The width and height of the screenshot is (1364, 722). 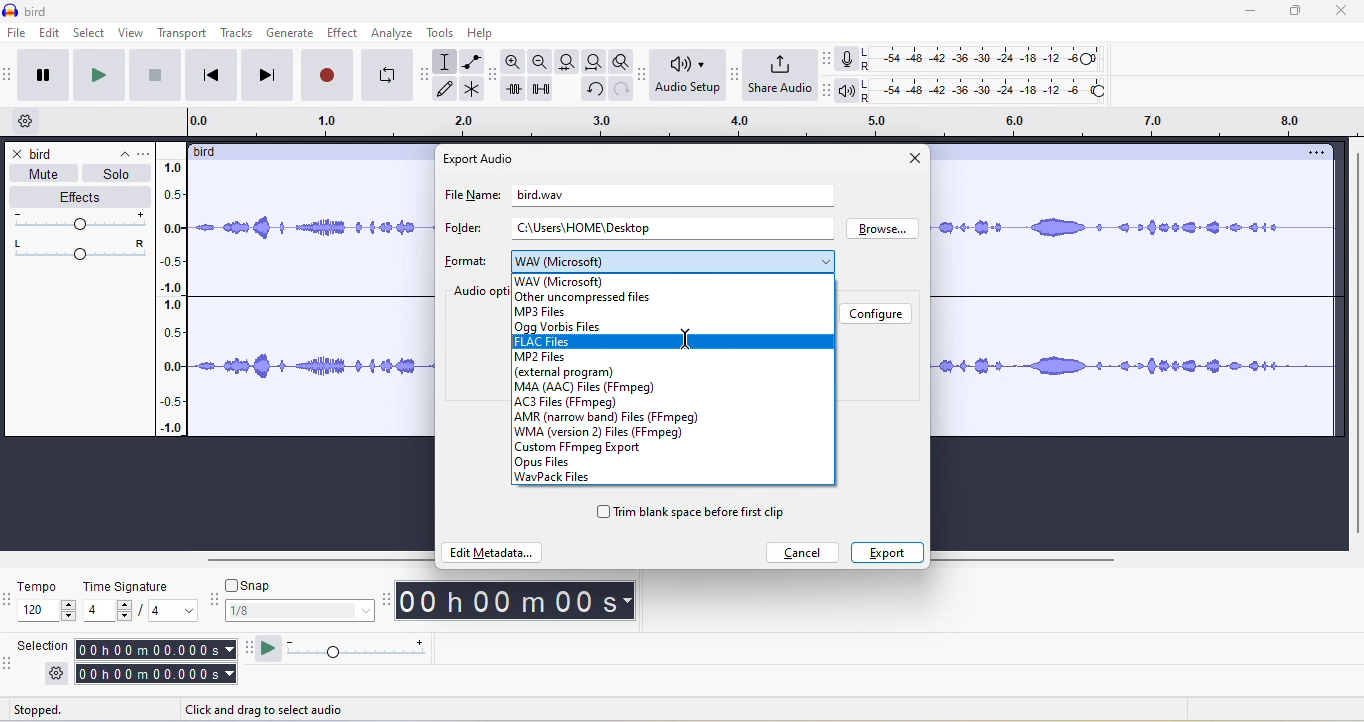 I want to click on zoom out, so click(x=541, y=62).